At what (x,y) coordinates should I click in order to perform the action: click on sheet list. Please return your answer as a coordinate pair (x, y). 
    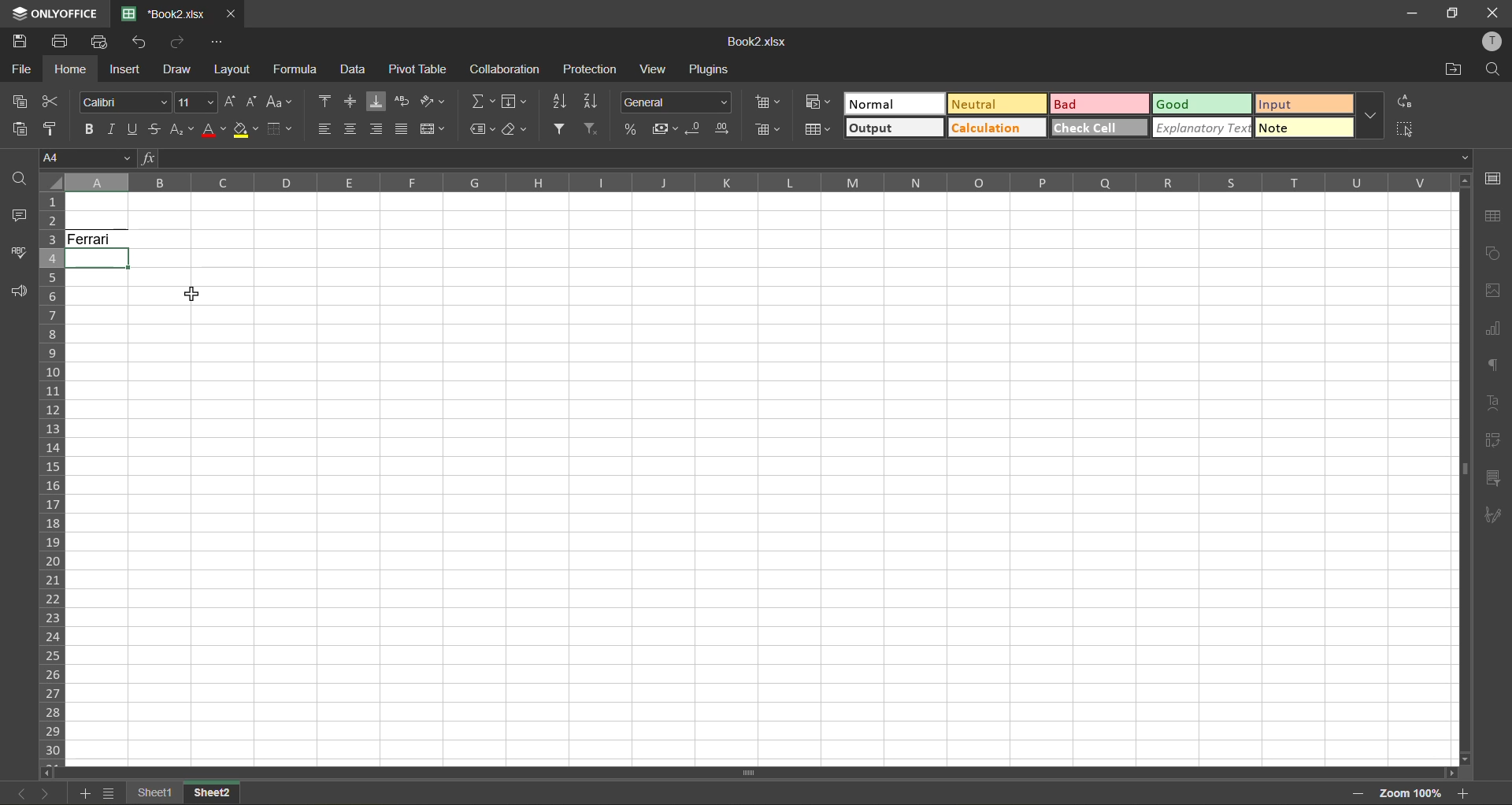
    Looking at the image, I should click on (109, 792).